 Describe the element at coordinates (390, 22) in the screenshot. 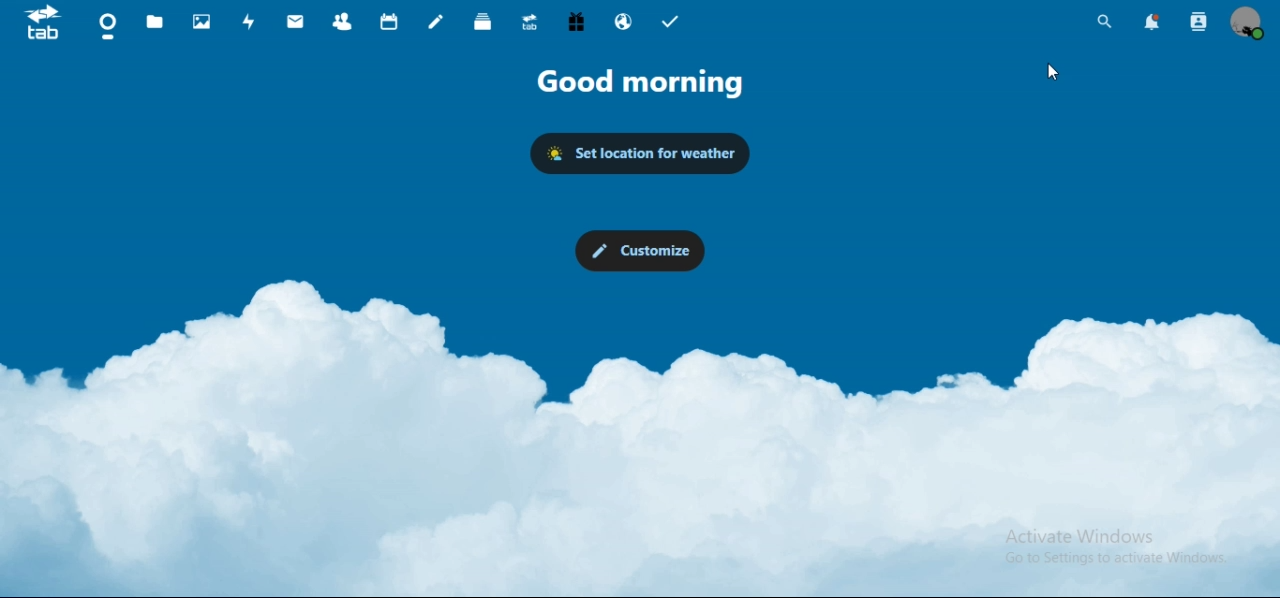

I see `calendar` at that location.